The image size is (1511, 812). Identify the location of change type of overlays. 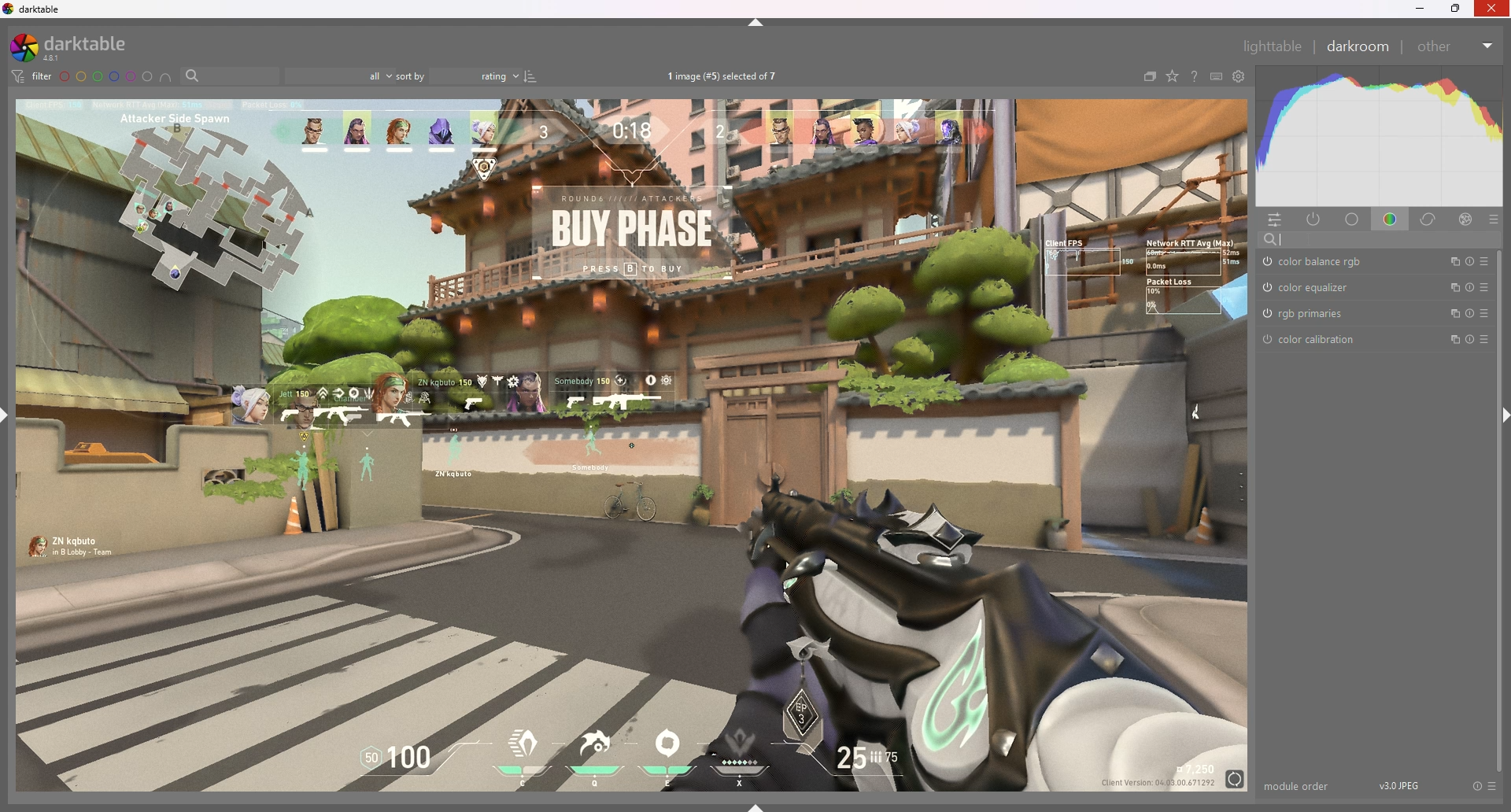
(1173, 76).